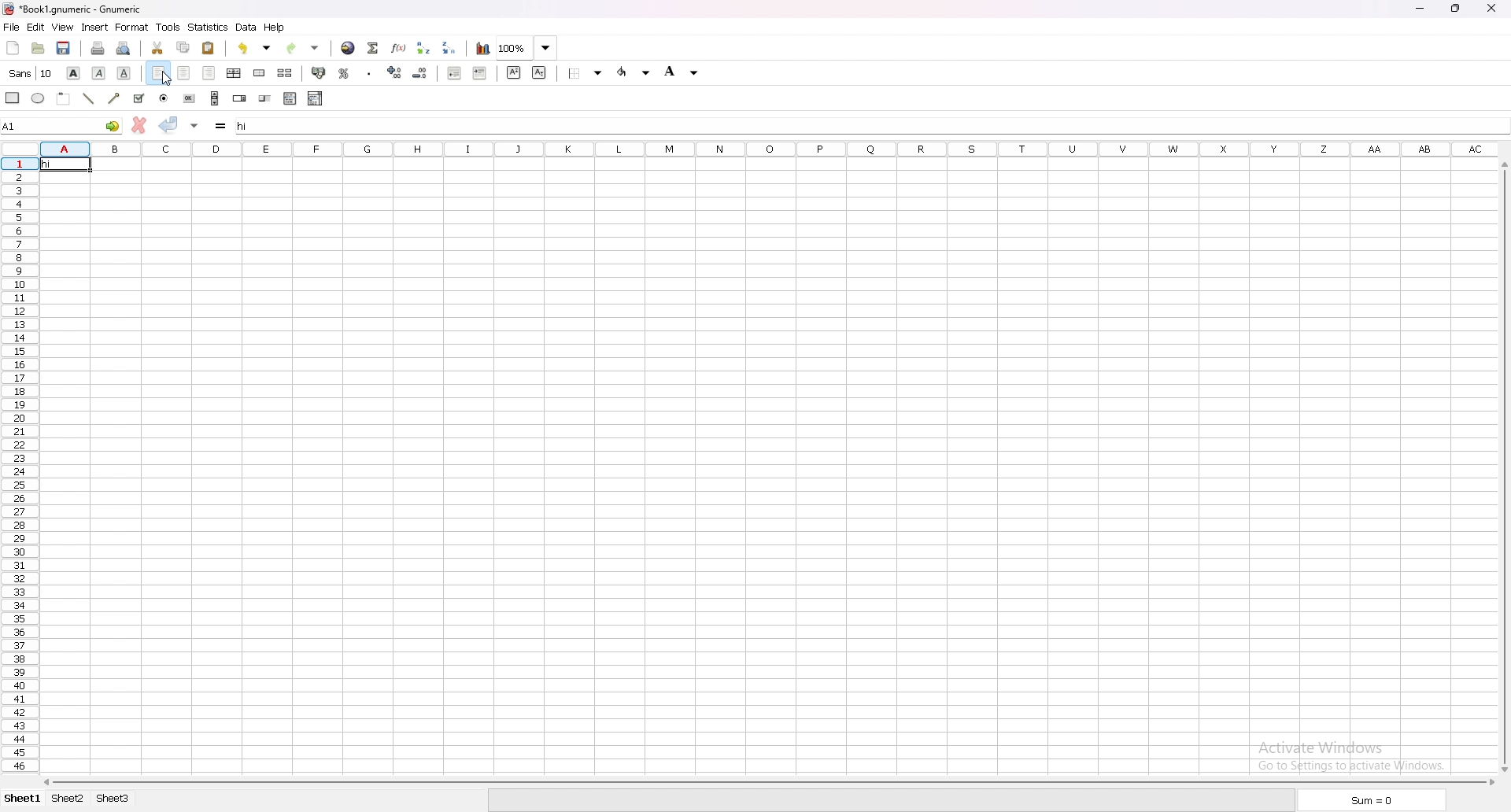  I want to click on cancel changes, so click(139, 125).